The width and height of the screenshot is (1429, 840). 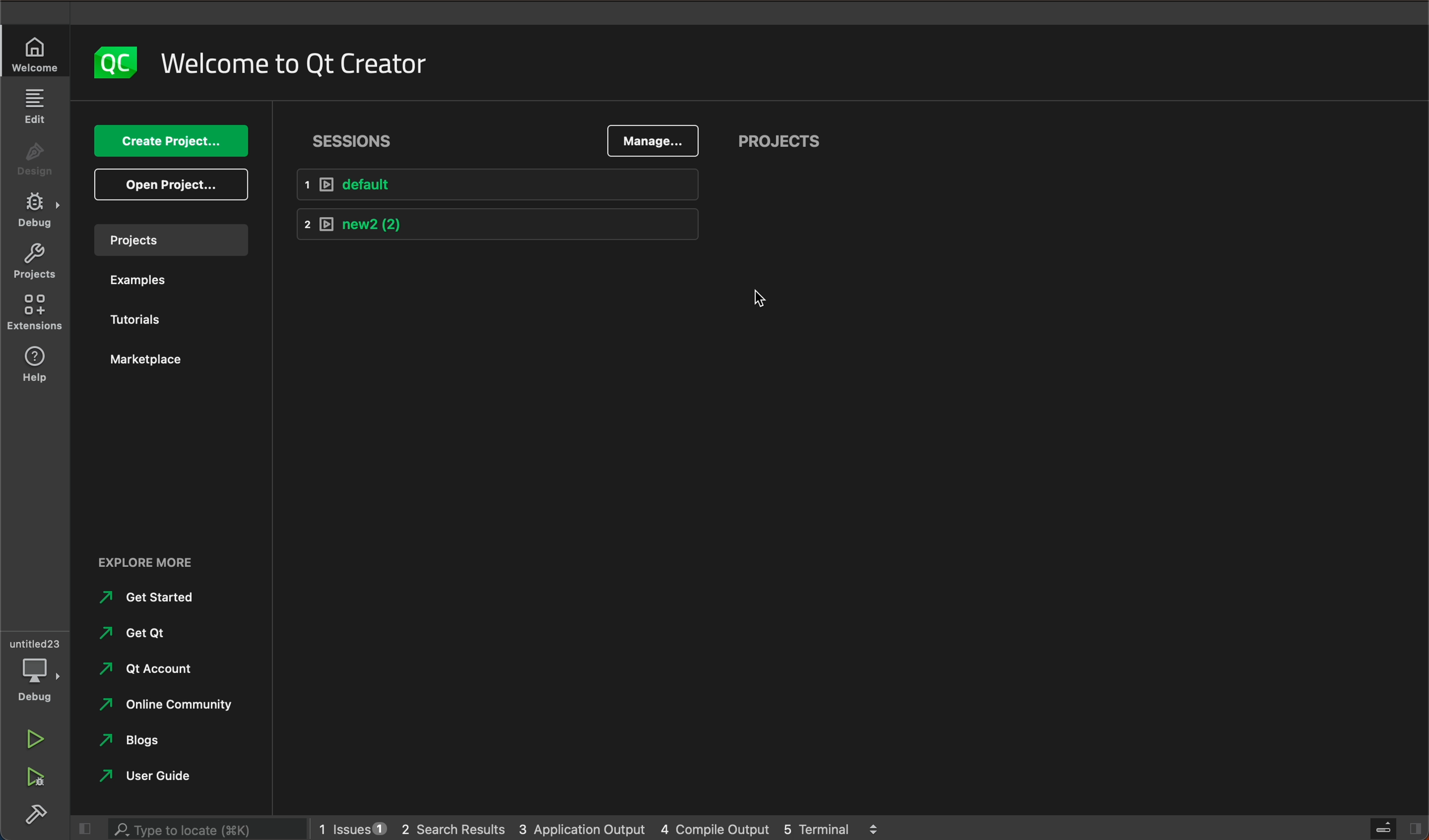 What do you see at coordinates (178, 240) in the screenshot?
I see `projects` at bounding box center [178, 240].